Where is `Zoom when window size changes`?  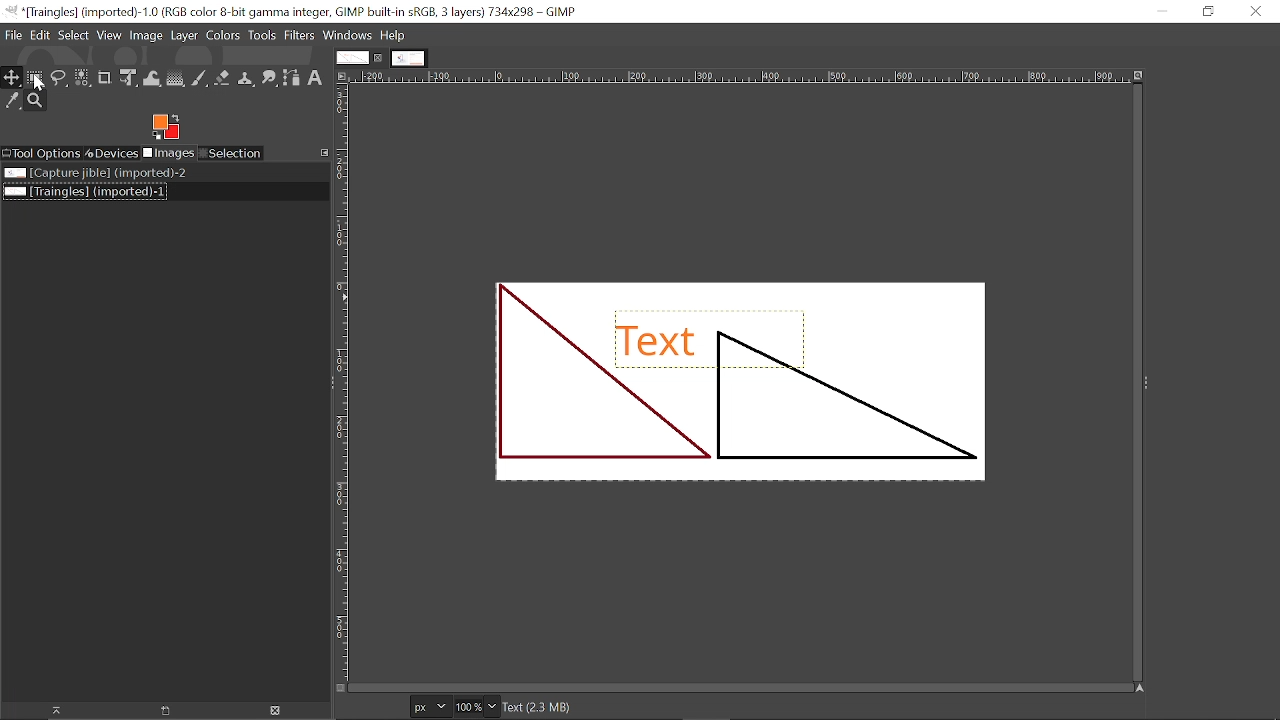
Zoom when window size changes is located at coordinates (1141, 76).